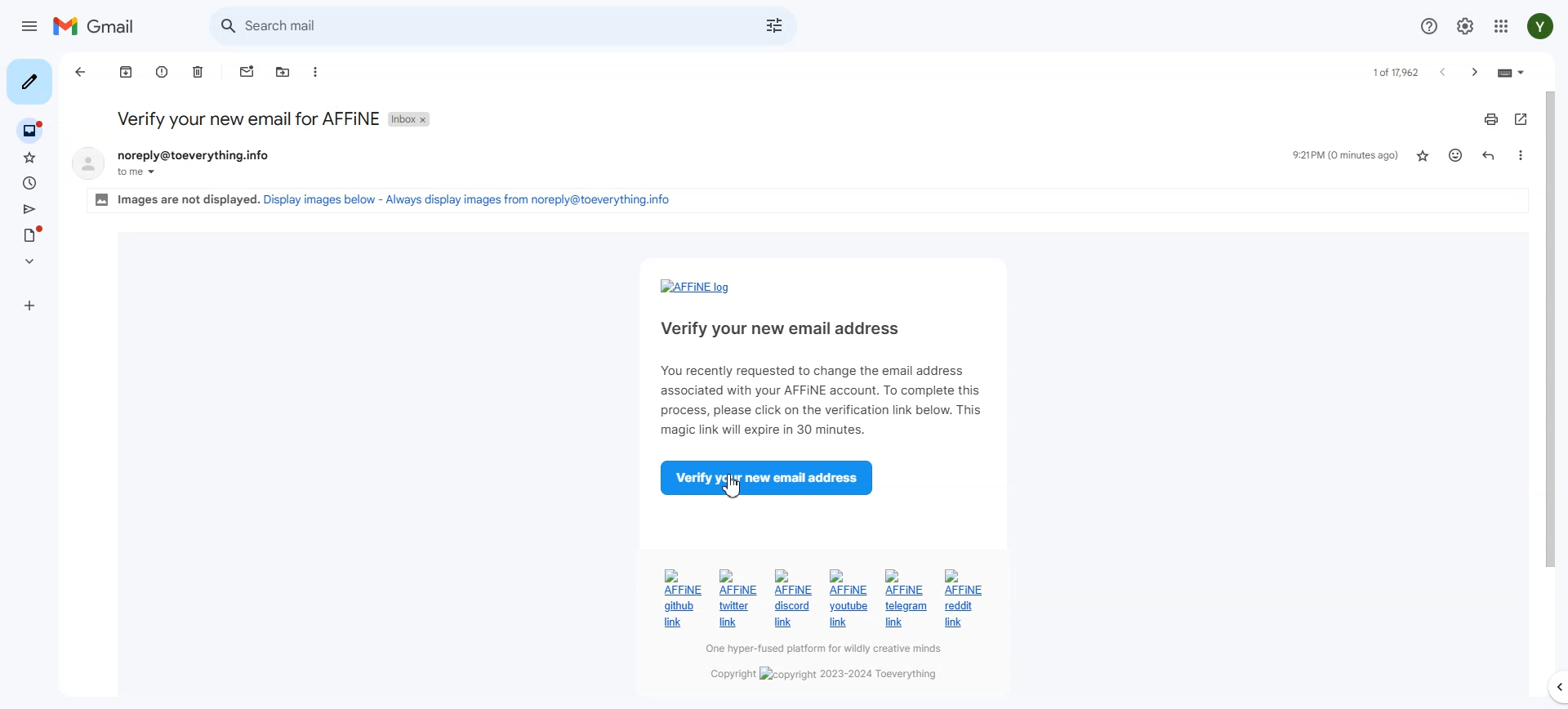 The image size is (1568, 709). Describe the element at coordinates (79, 73) in the screenshot. I see `Back to inbox` at that location.